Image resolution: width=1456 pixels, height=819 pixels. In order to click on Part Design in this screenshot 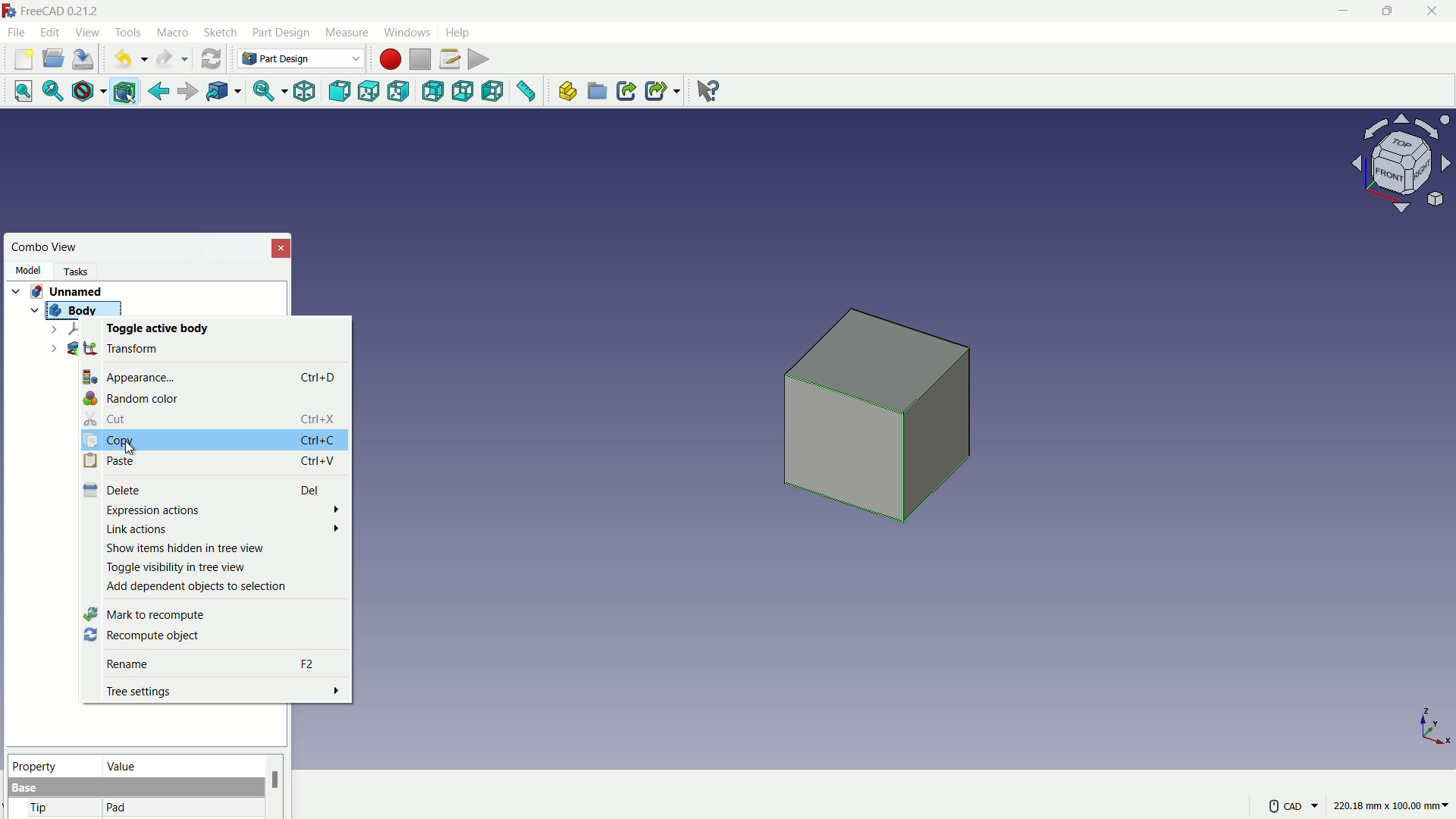, I will do `click(301, 58)`.